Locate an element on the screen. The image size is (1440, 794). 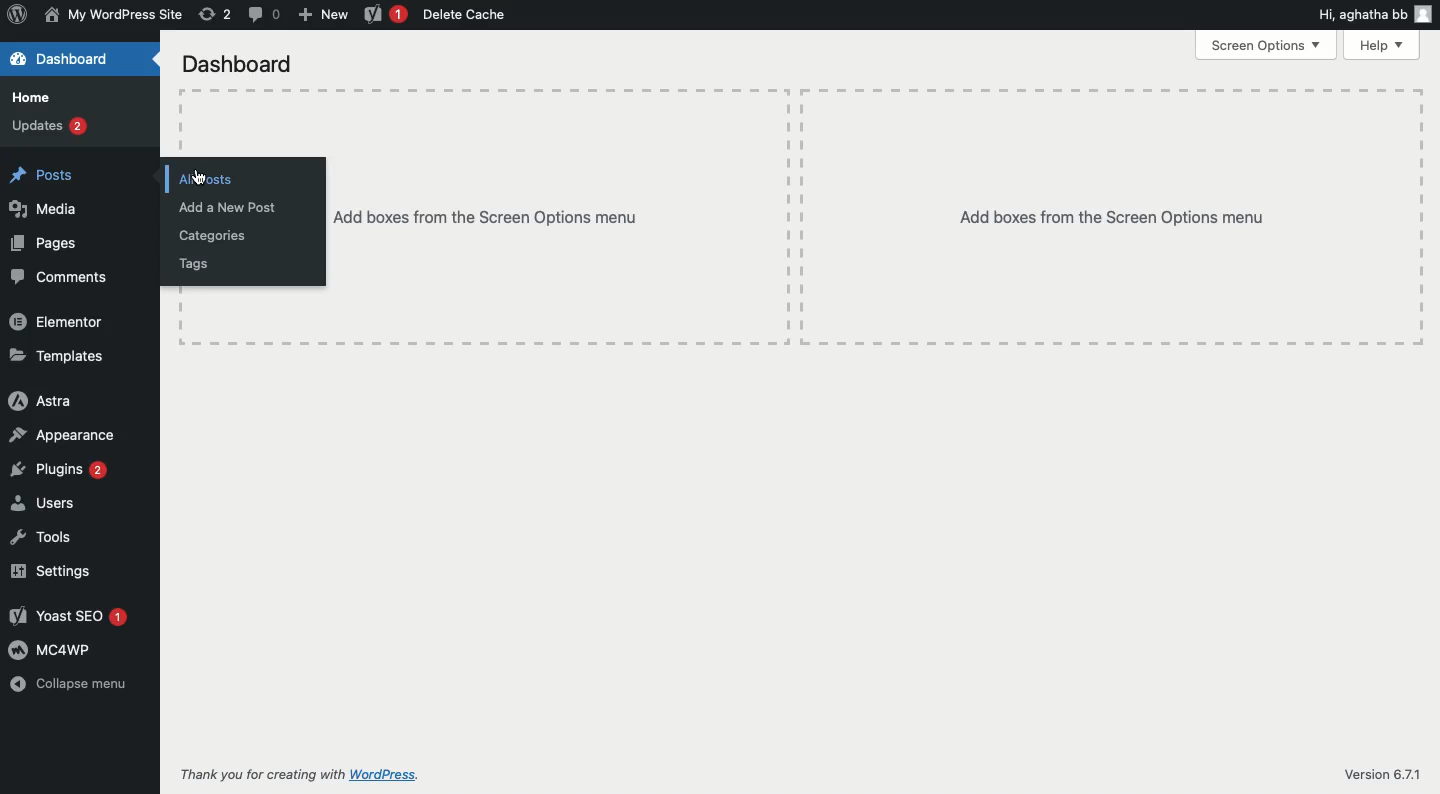
Pages is located at coordinates (44, 243).